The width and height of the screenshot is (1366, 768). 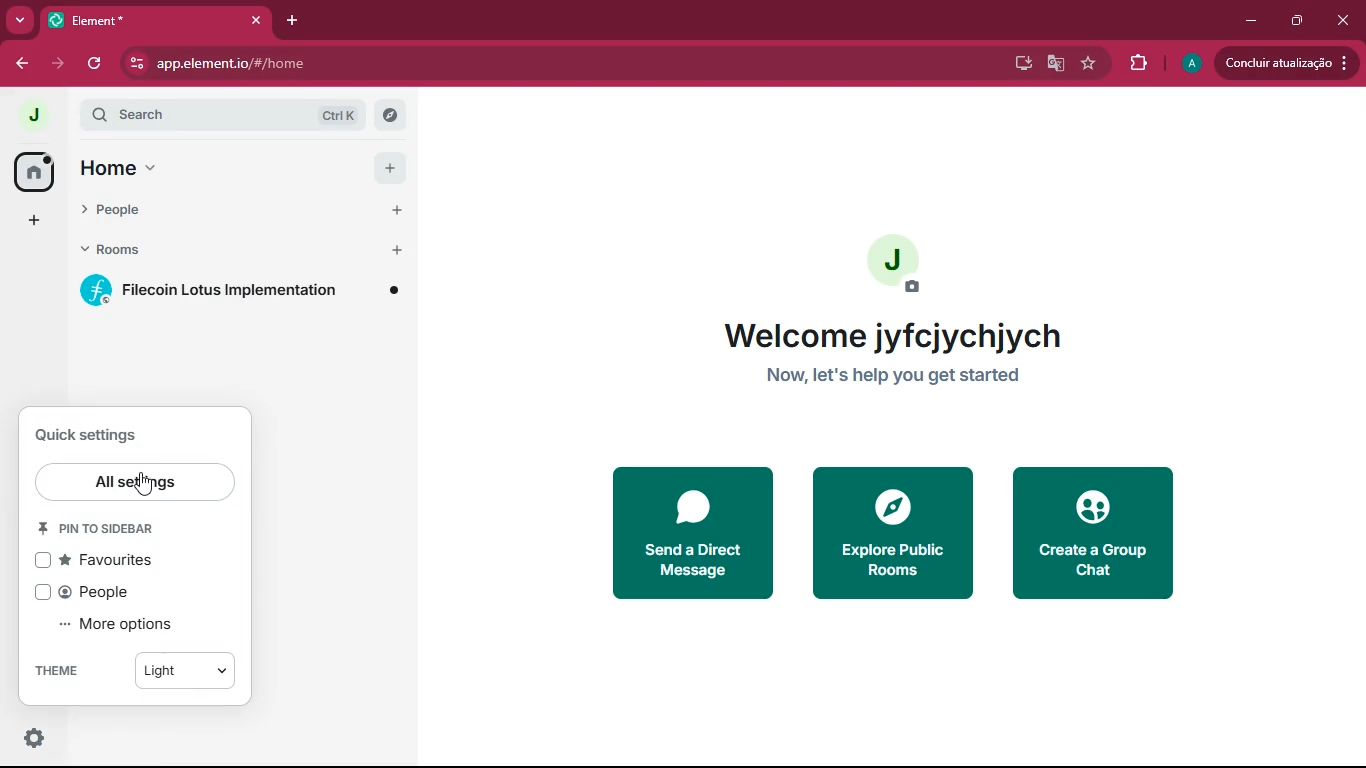 What do you see at coordinates (1287, 63) in the screenshot?
I see `update` at bounding box center [1287, 63].